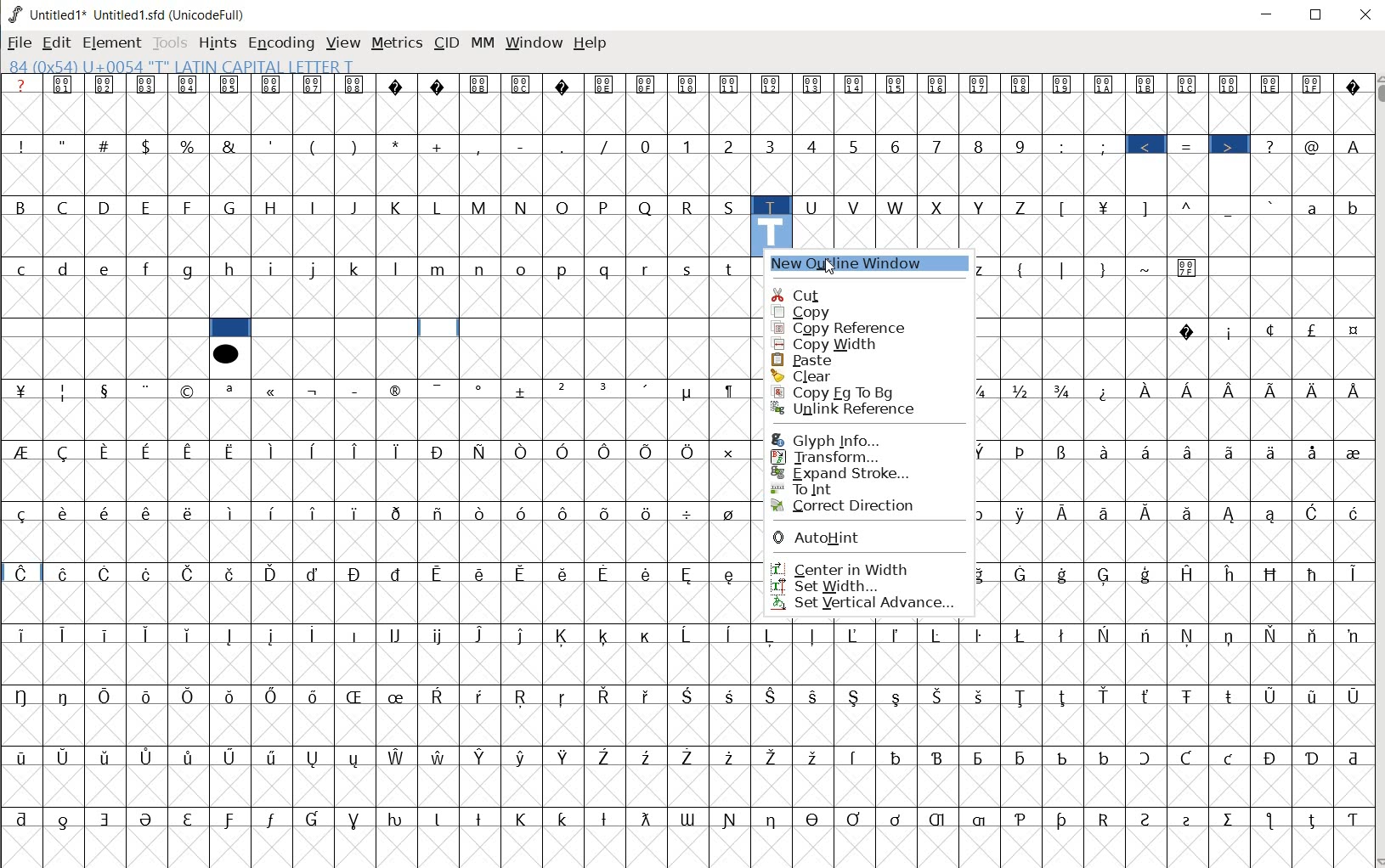 The height and width of the screenshot is (868, 1385). Describe the element at coordinates (773, 818) in the screenshot. I see `Symbol` at that location.